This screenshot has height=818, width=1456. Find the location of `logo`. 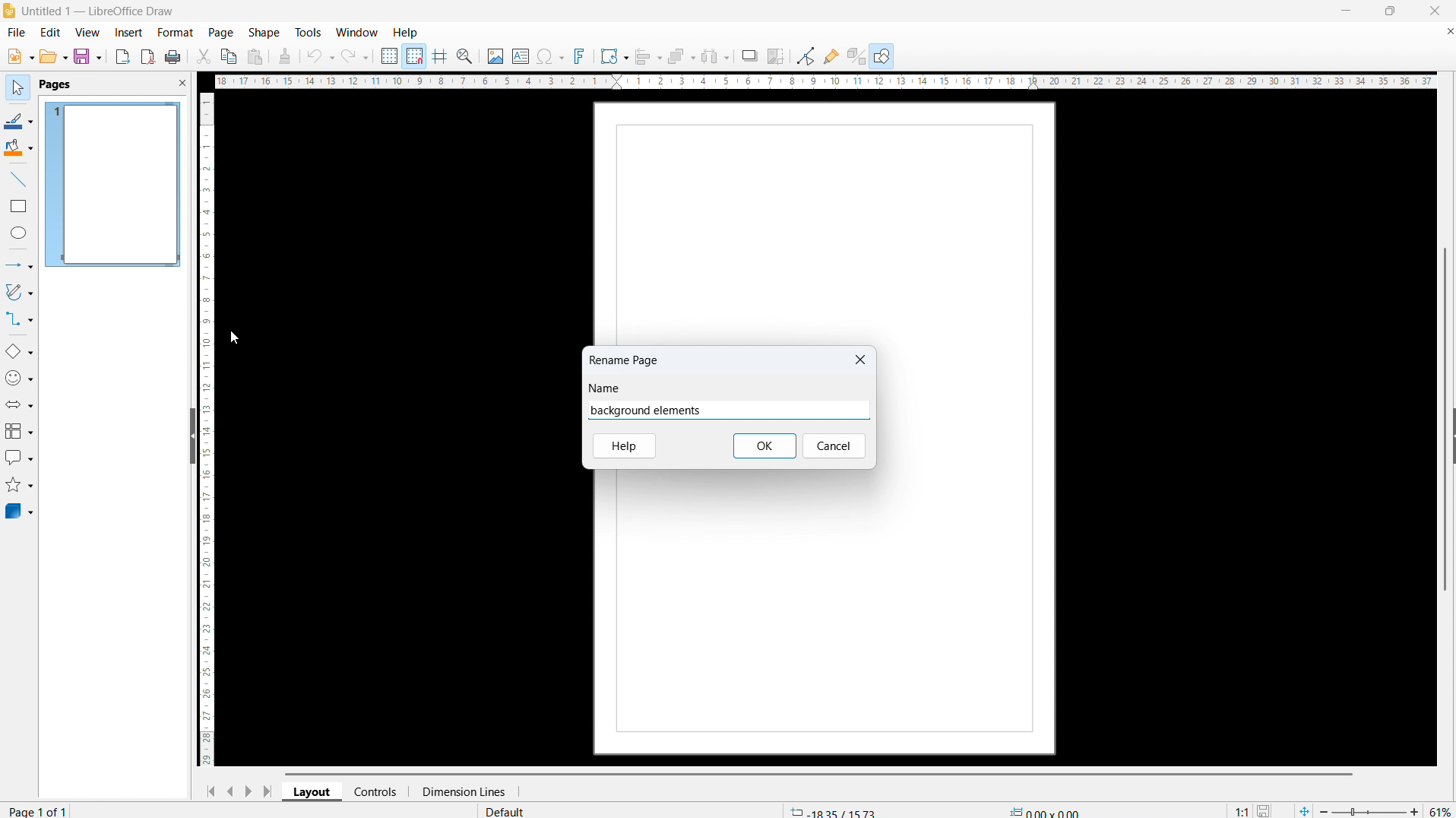

logo is located at coordinates (9, 11).